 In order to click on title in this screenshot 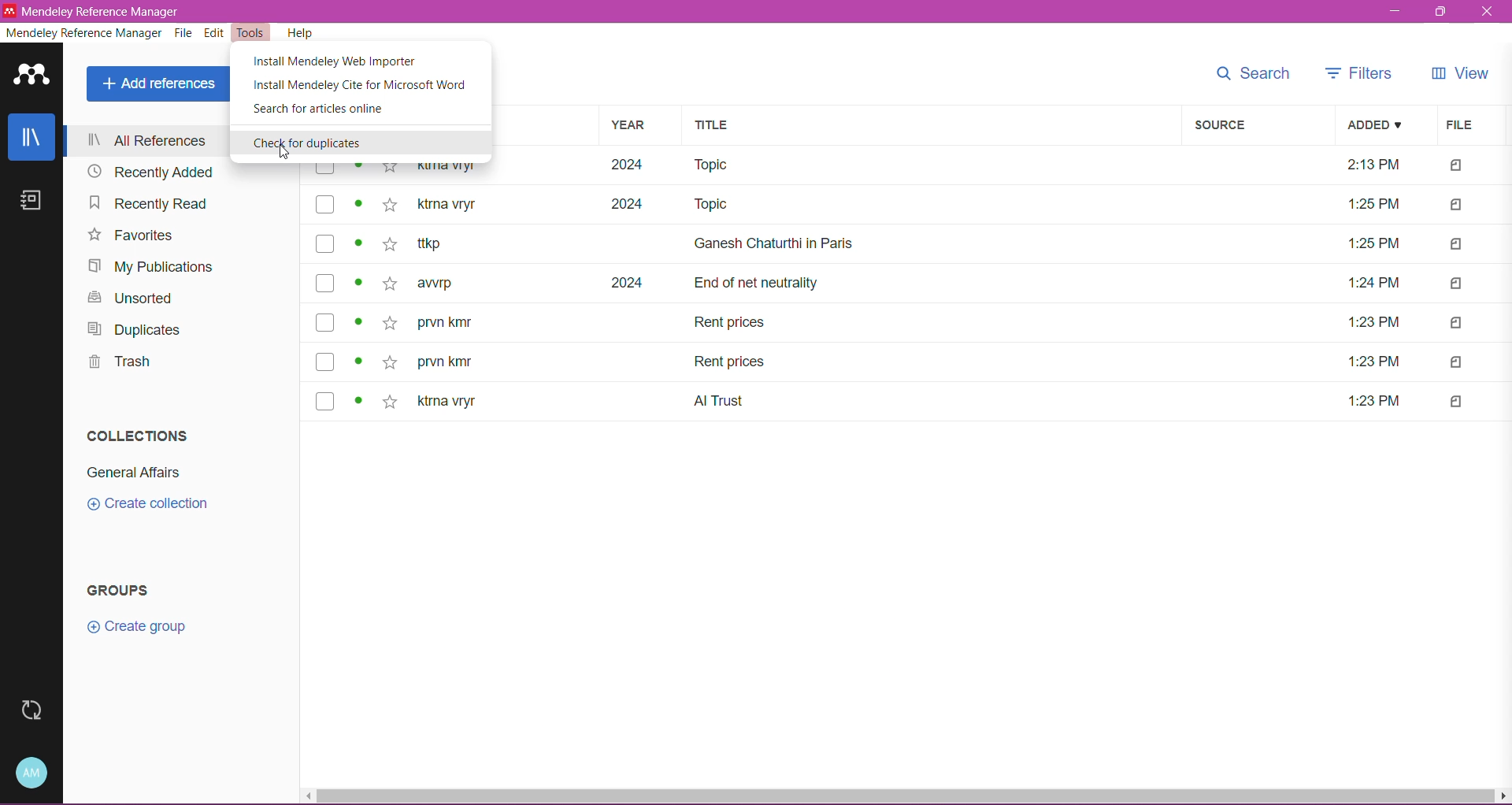, I will do `click(733, 363)`.